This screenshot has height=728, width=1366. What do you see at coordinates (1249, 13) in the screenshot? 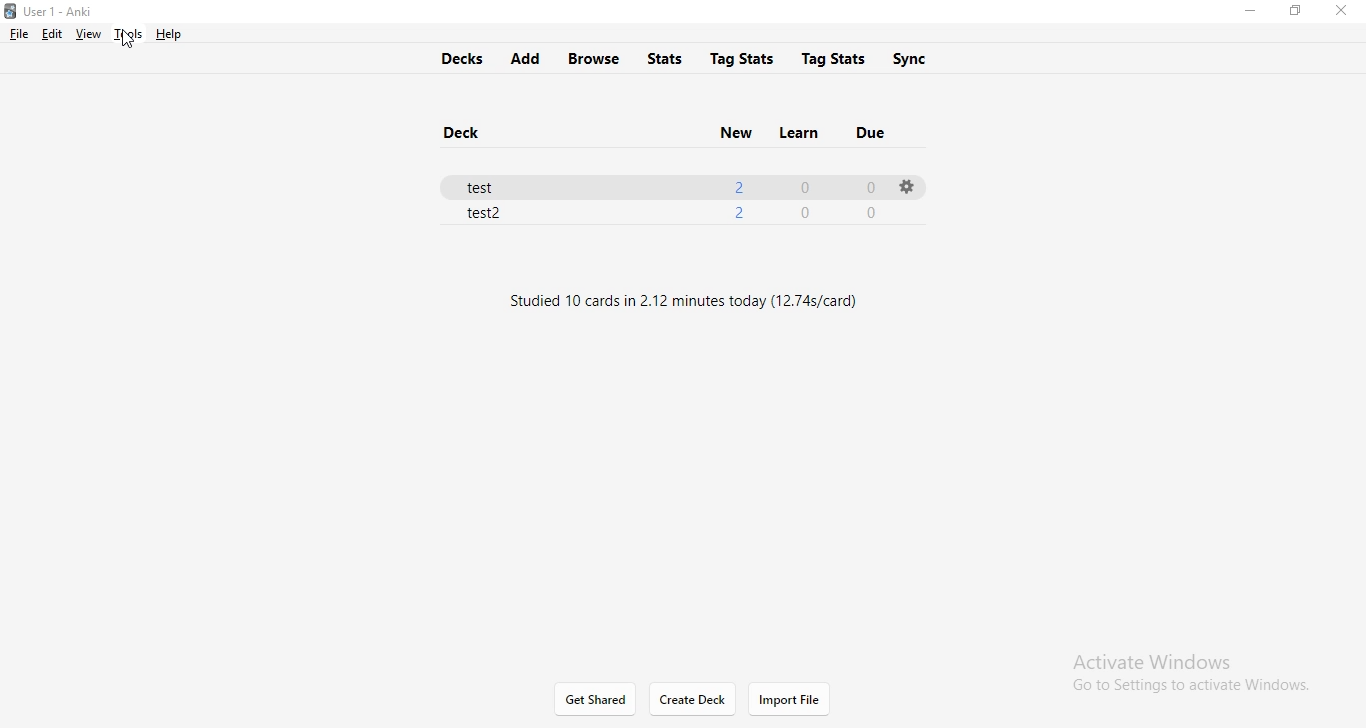
I see `minimise` at bounding box center [1249, 13].